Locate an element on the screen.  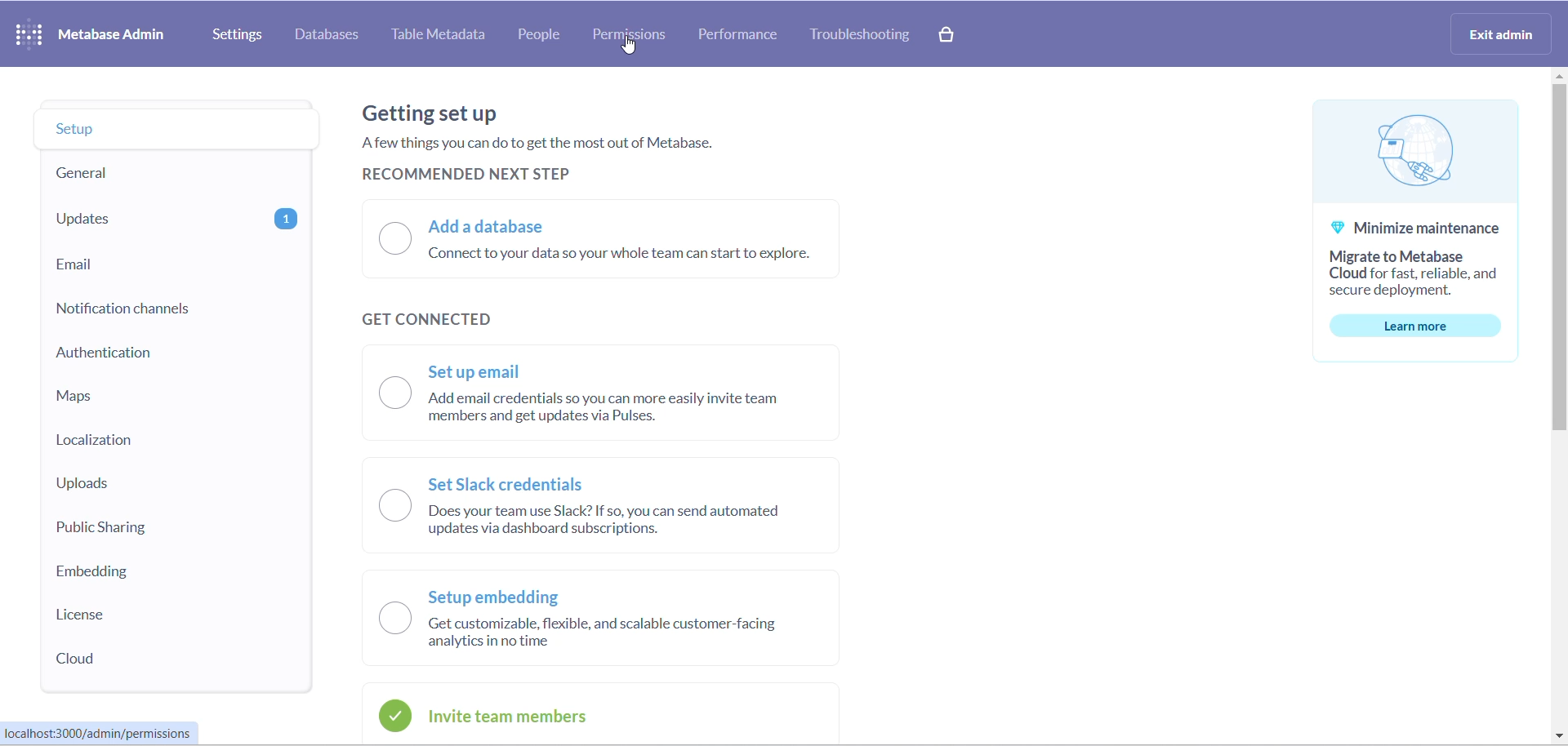
setup embedding radio button is located at coordinates (611, 621).